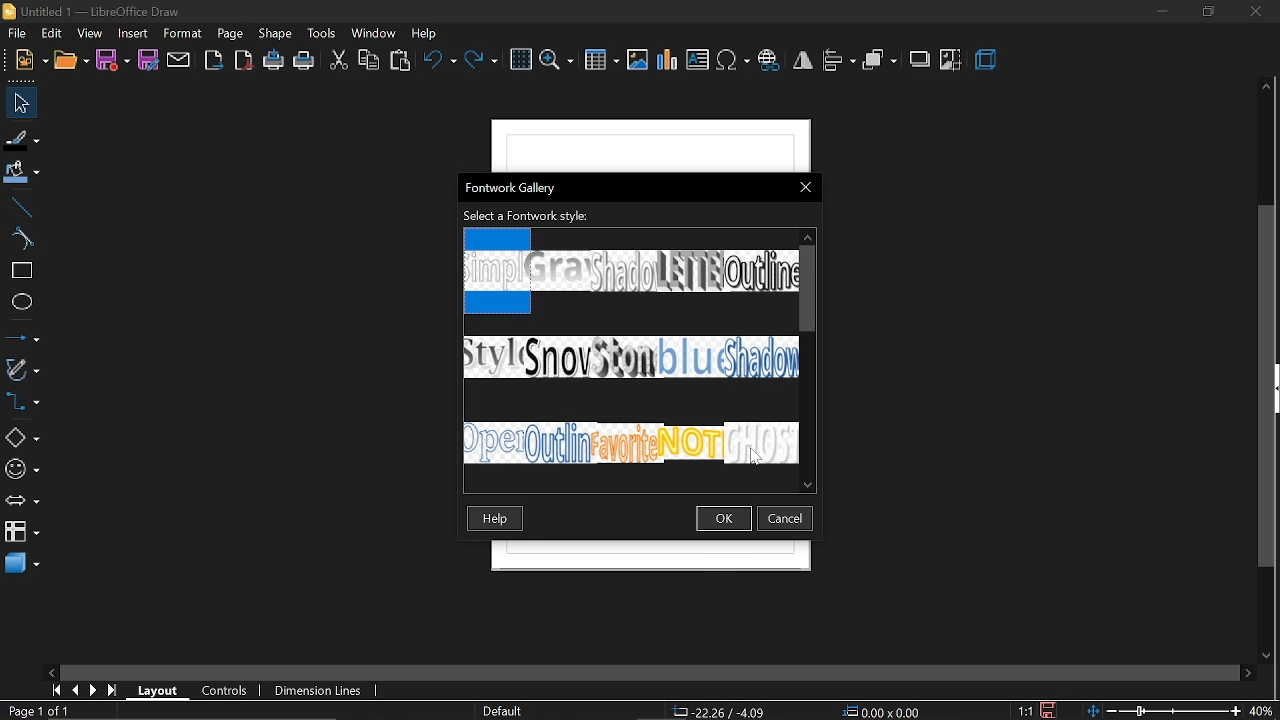 The image size is (1280, 720). I want to click on cancel, so click(787, 518).